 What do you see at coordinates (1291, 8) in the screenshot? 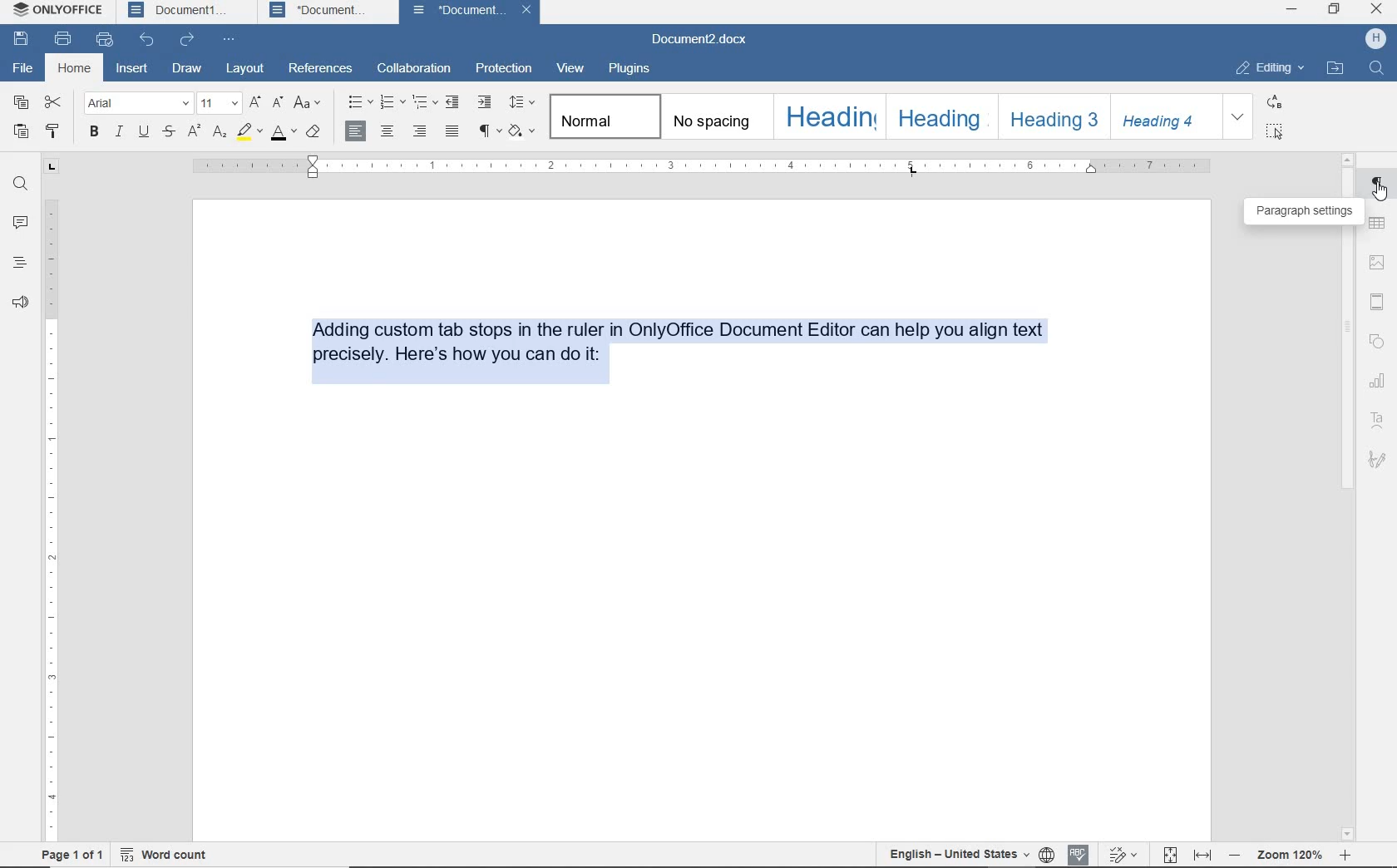
I see `minimize` at bounding box center [1291, 8].